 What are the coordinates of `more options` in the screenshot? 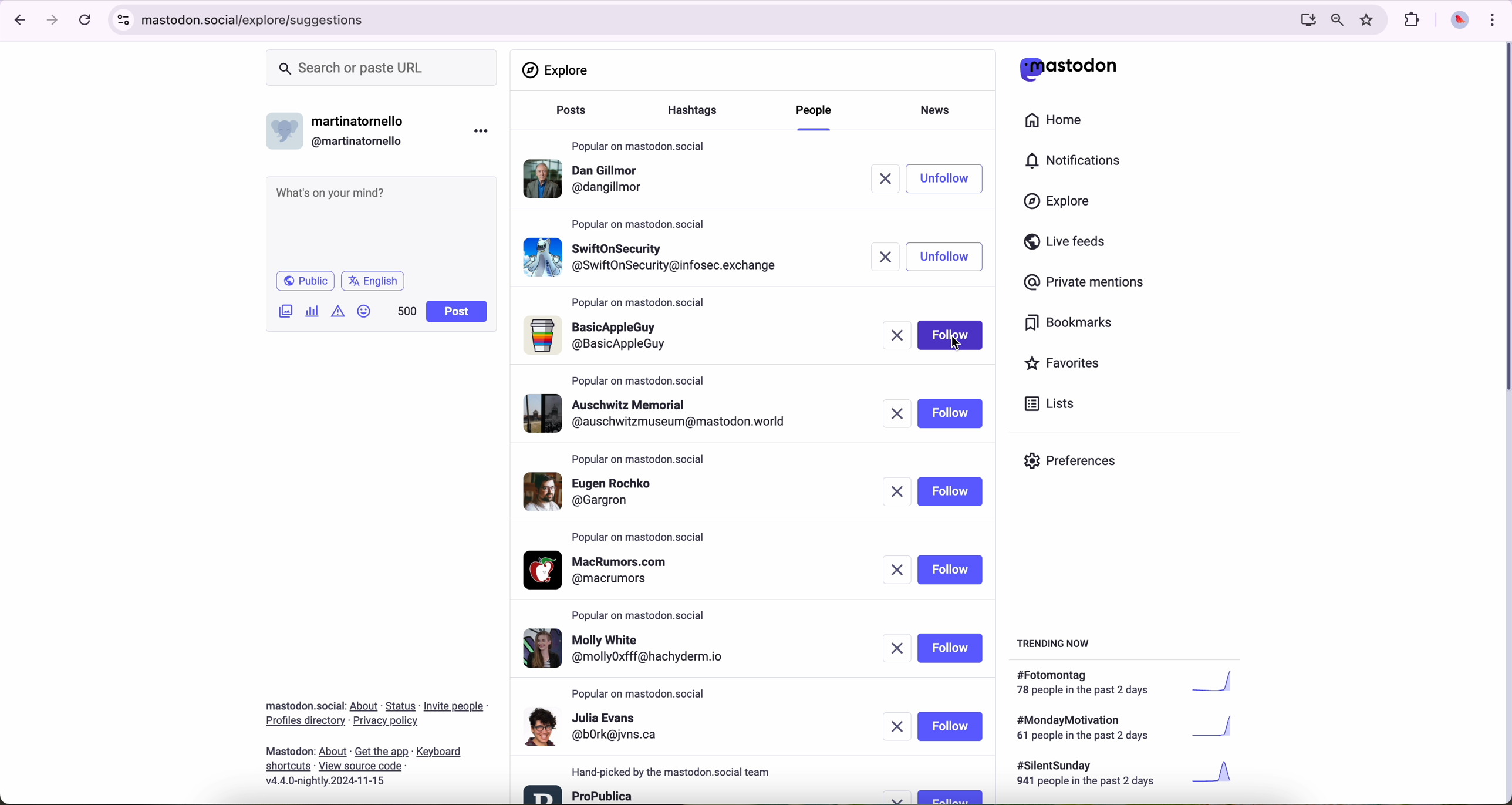 It's located at (484, 130).